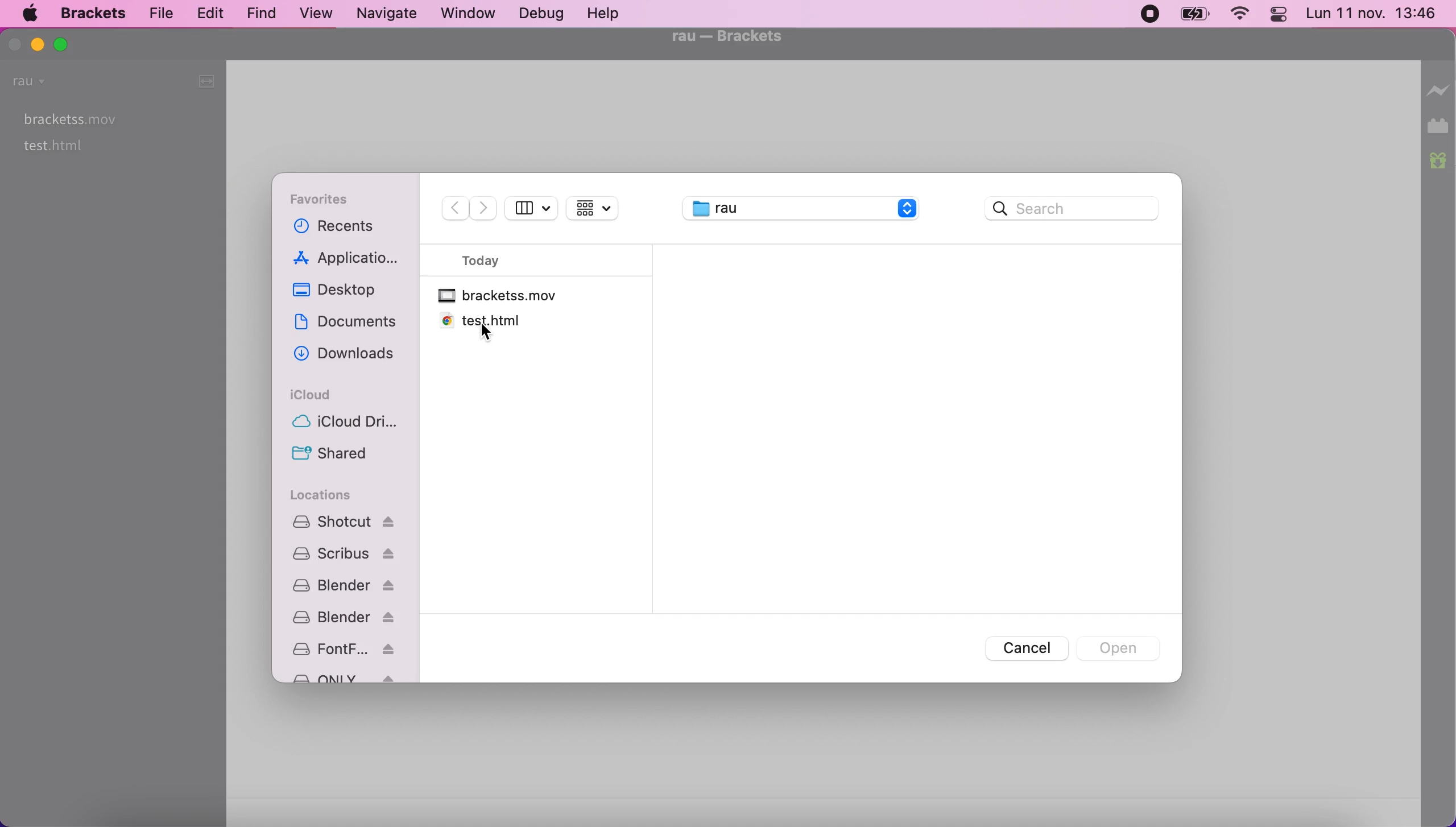 The height and width of the screenshot is (827, 1456). I want to click on today, so click(503, 260).